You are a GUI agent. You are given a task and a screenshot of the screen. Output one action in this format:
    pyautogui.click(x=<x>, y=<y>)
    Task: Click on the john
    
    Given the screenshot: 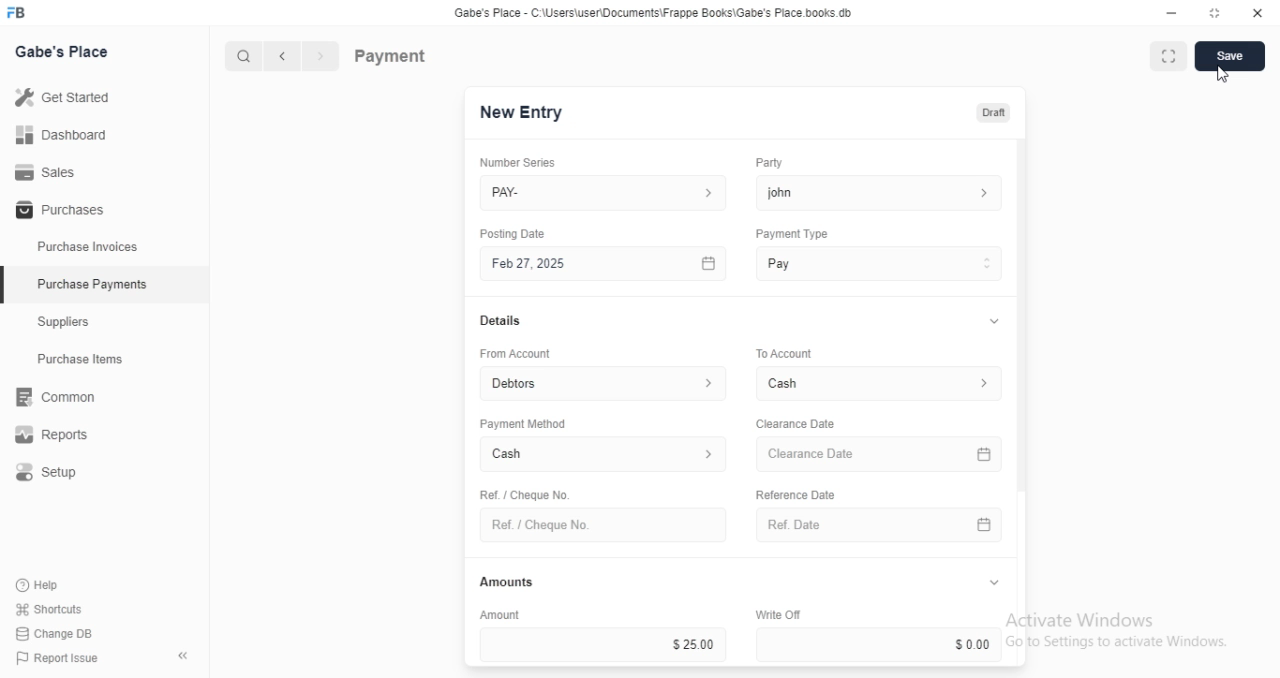 What is the action you would take?
    pyautogui.click(x=879, y=192)
    